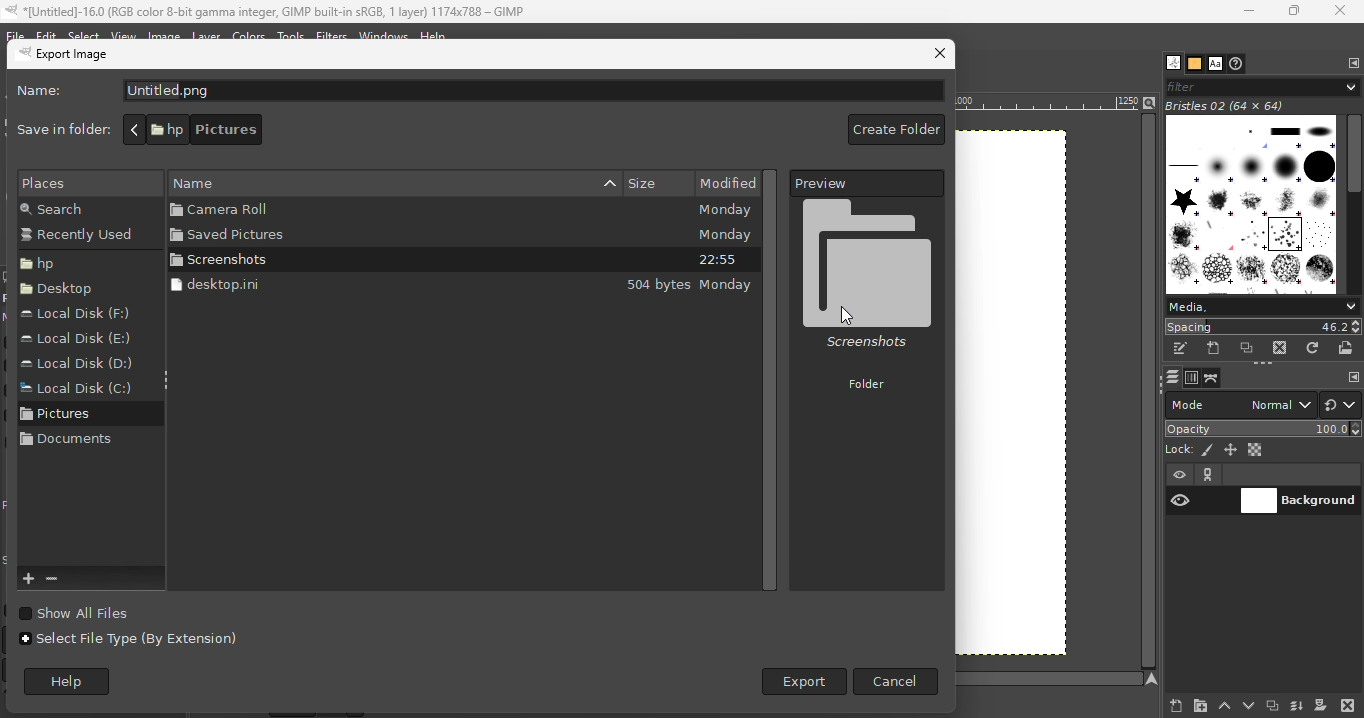  Describe the element at coordinates (868, 183) in the screenshot. I see `Preview` at that location.